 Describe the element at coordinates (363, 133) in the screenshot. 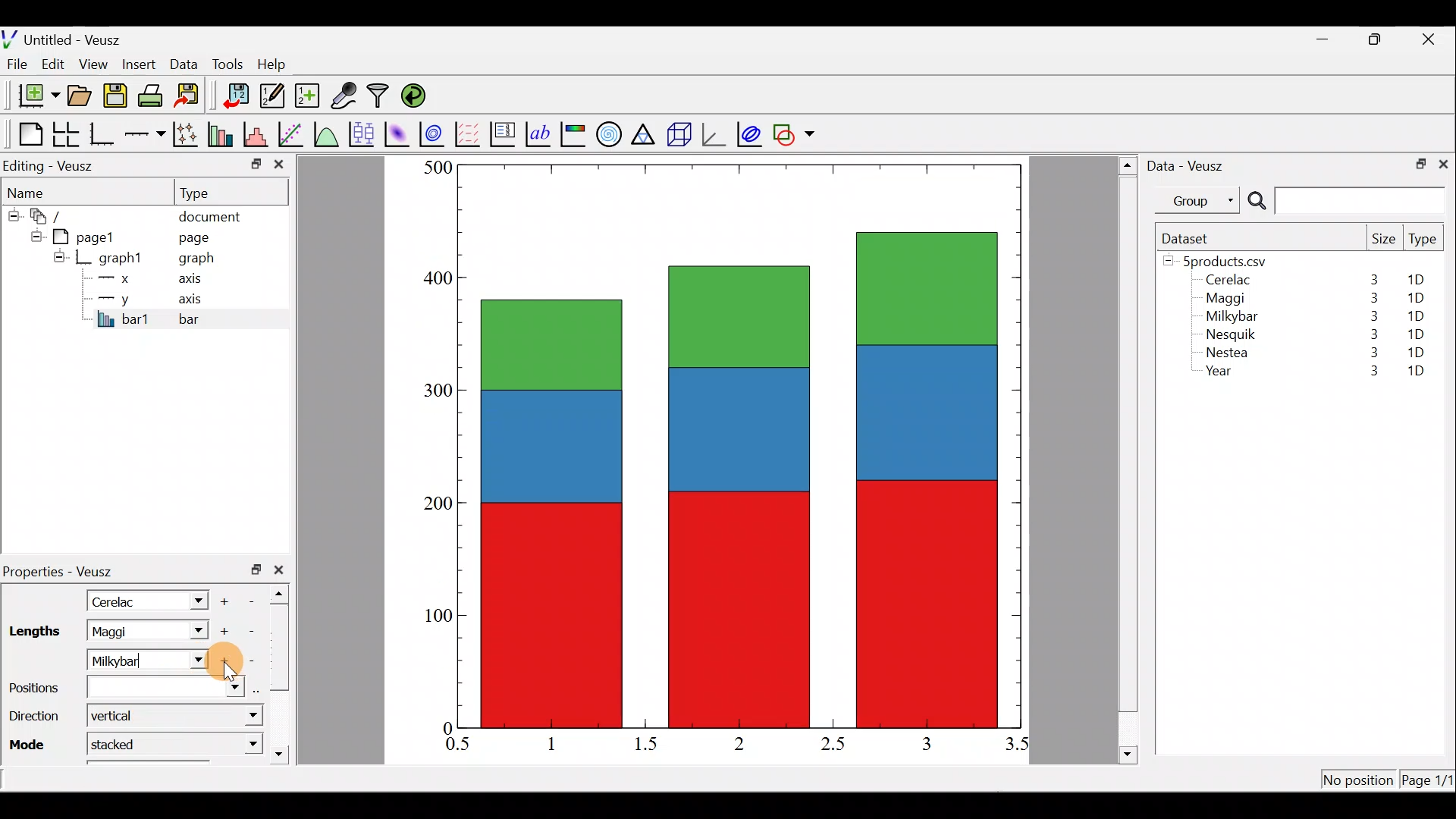

I see `Plot box plots` at that location.